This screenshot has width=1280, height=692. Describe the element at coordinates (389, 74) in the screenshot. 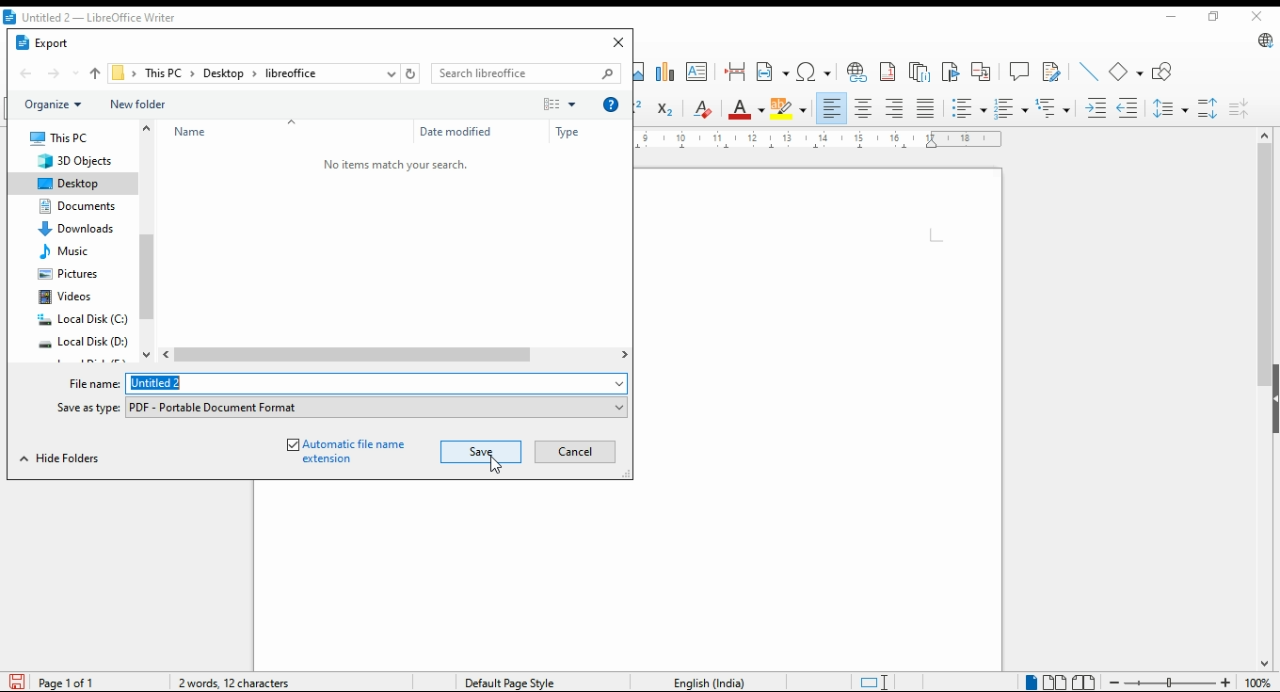

I see `recent locations` at that location.